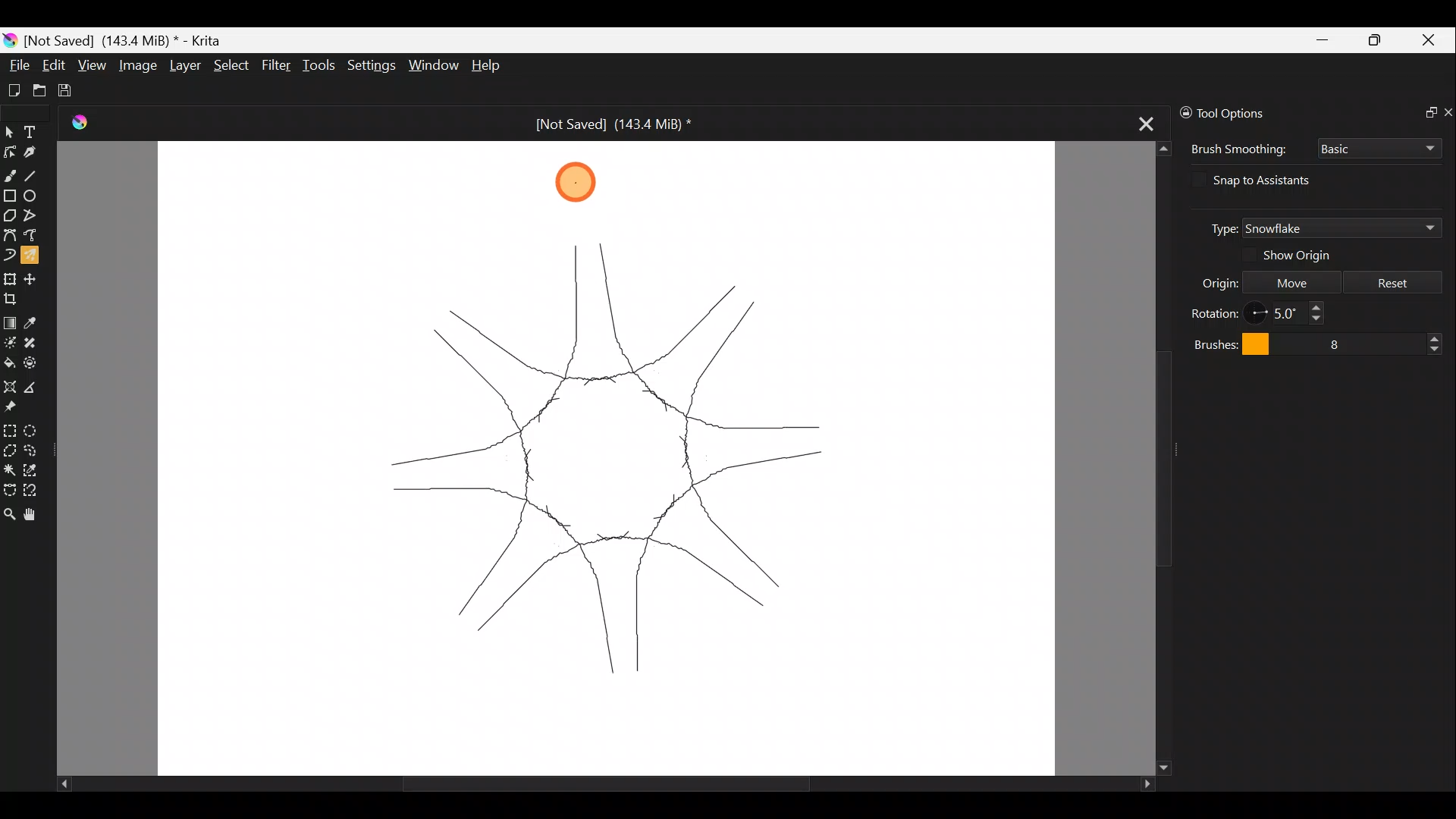 The image size is (1456, 819). What do you see at coordinates (37, 491) in the screenshot?
I see `Magnetic curve selection tool` at bounding box center [37, 491].